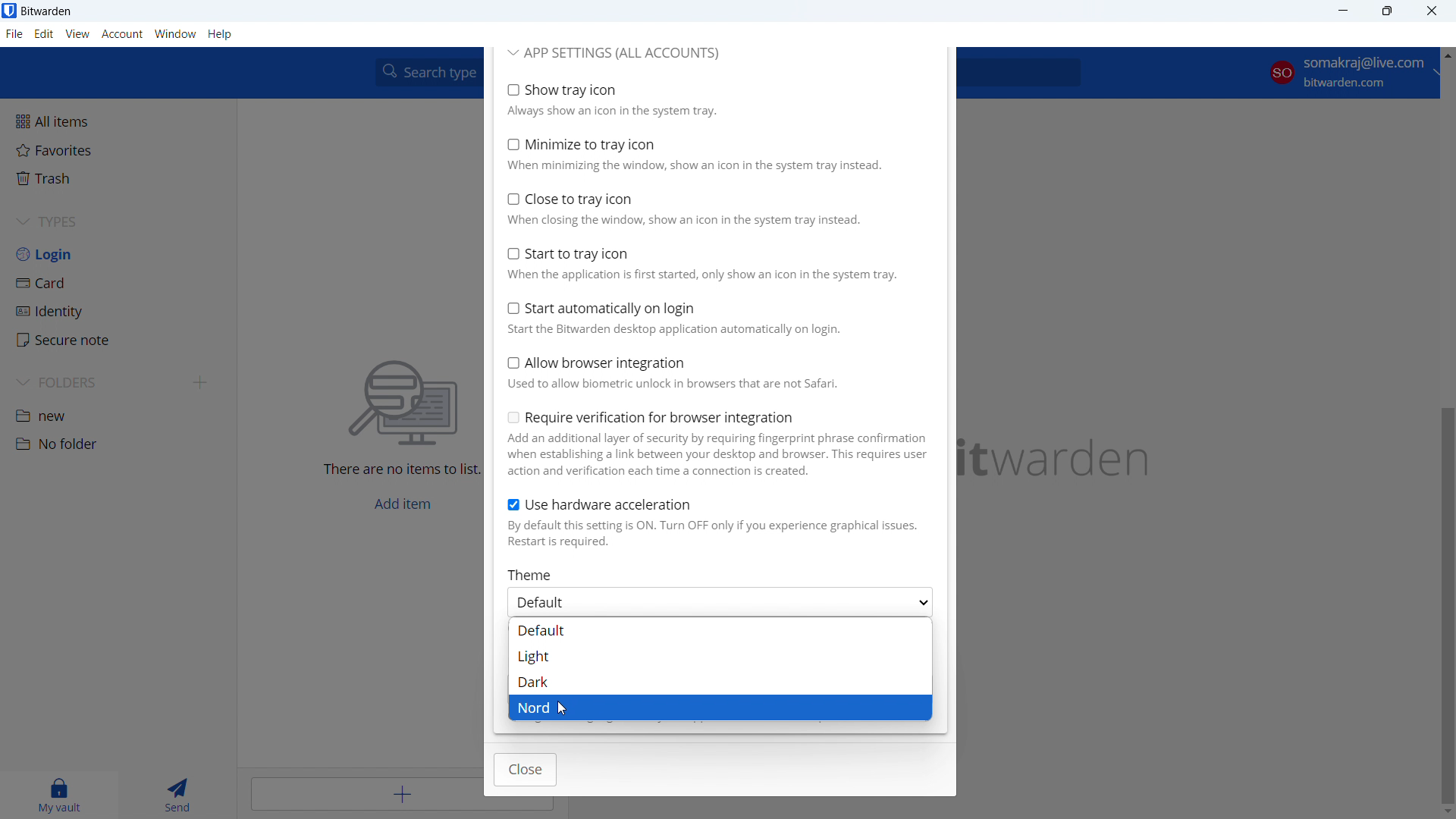 This screenshot has height=819, width=1456. Describe the element at coordinates (47, 11) in the screenshot. I see `title` at that location.